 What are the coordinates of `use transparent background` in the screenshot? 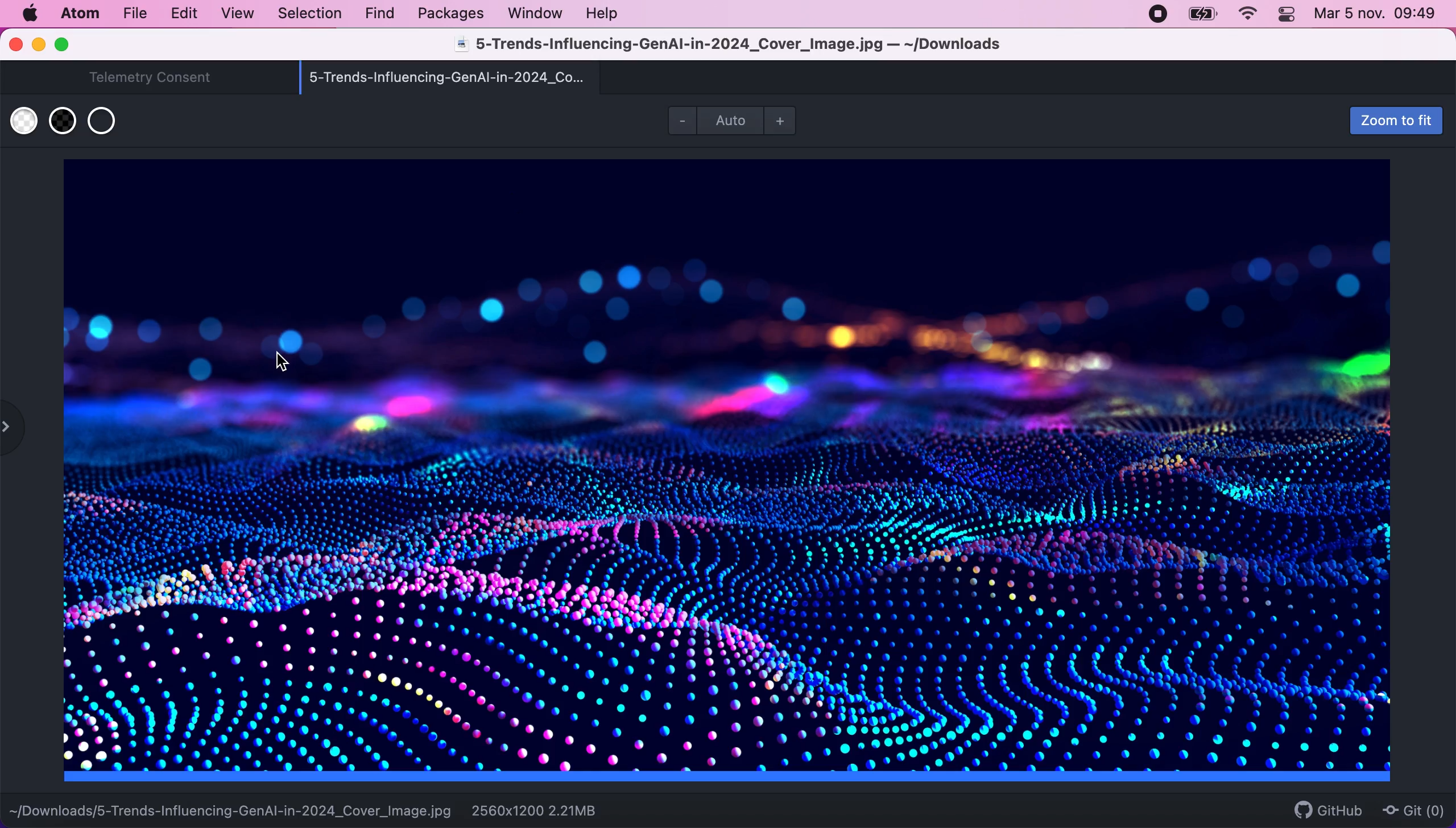 It's located at (107, 121).